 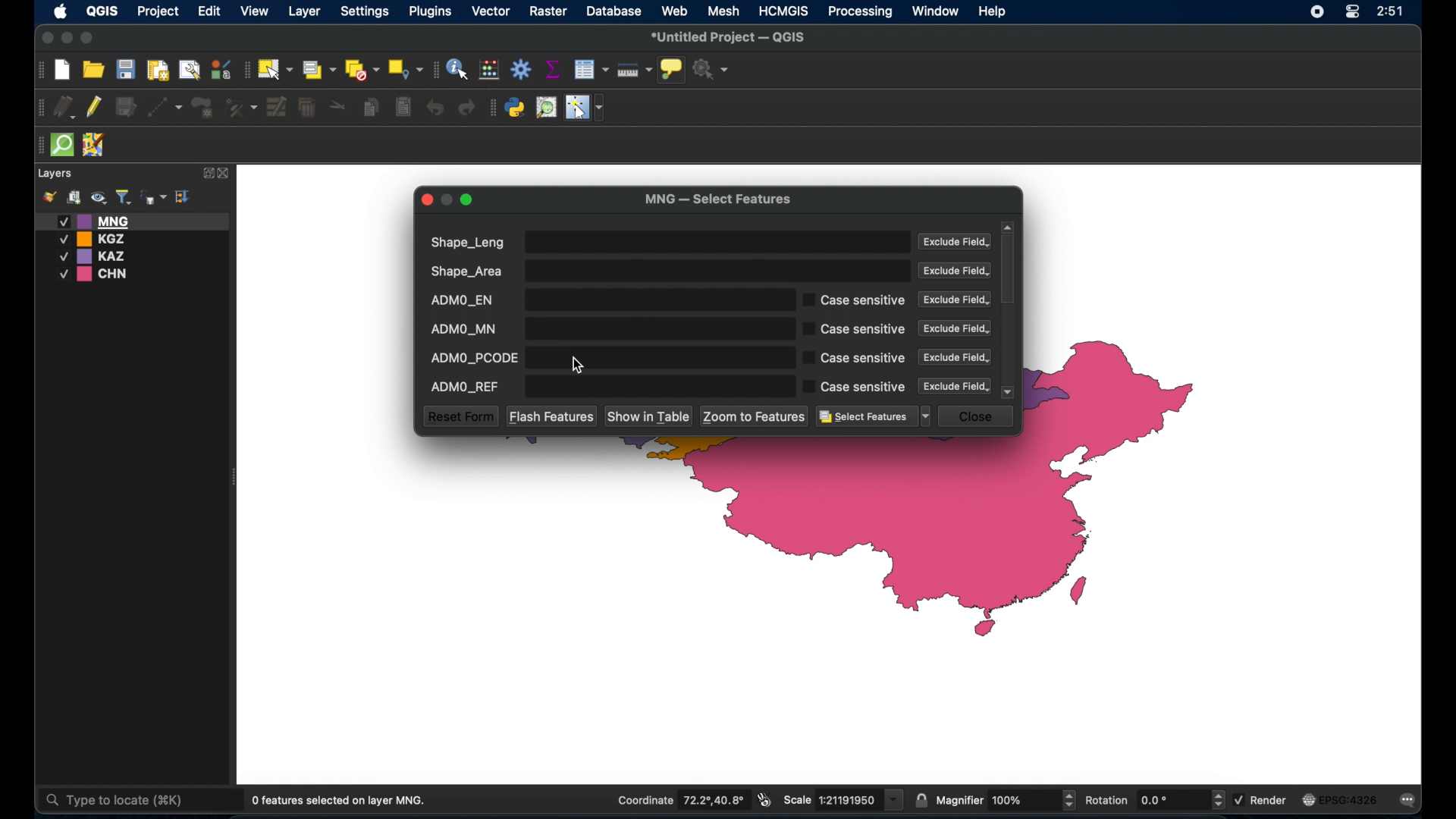 I want to click on QGIS, so click(x=101, y=14).